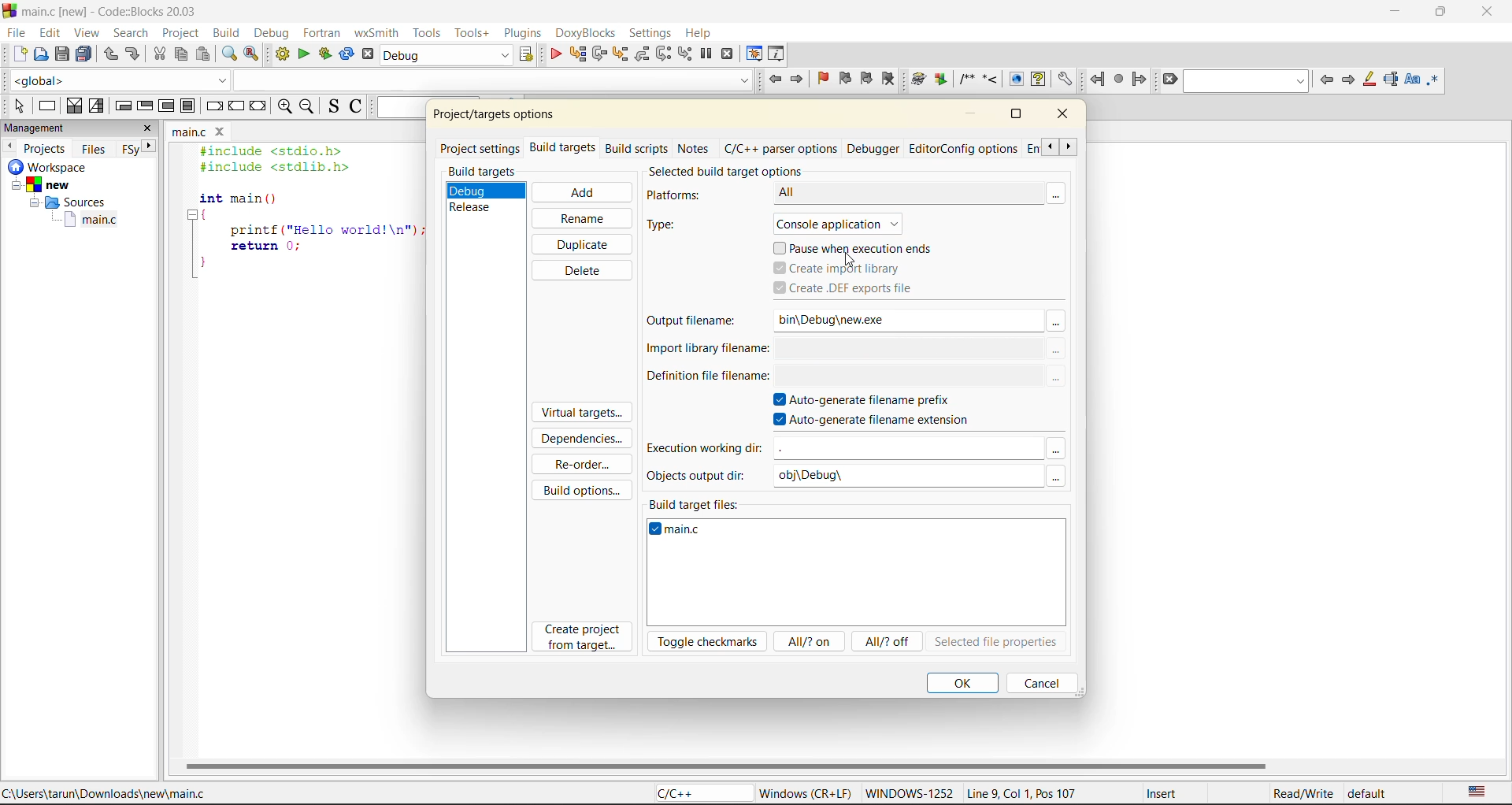 The height and width of the screenshot is (805, 1512). What do you see at coordinates (799, 80) in the screenshot?
I see `jump forward` at bounding box center [799, 80].